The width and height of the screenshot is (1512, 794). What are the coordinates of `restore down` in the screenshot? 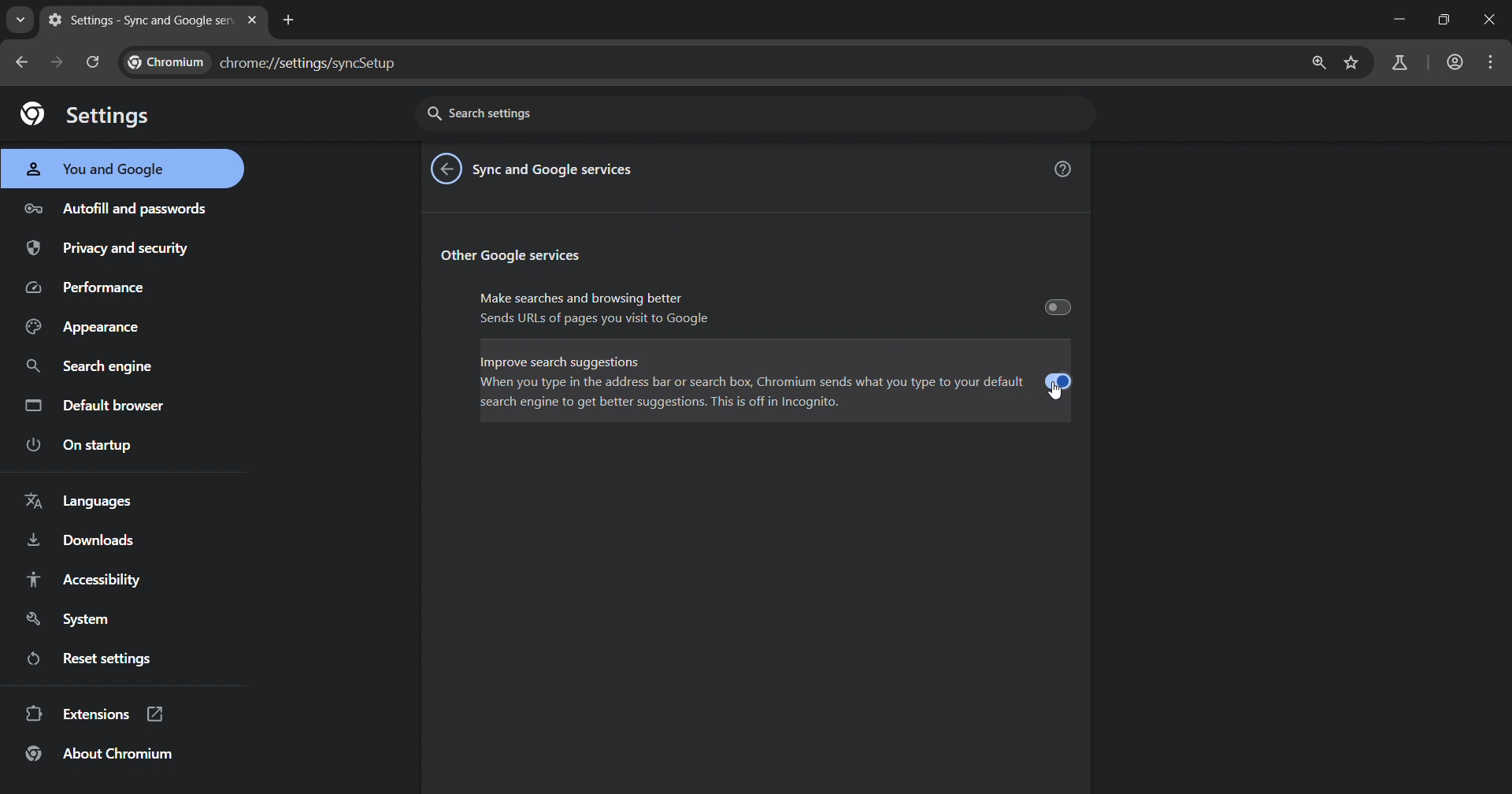 It's located at (1442, 21).